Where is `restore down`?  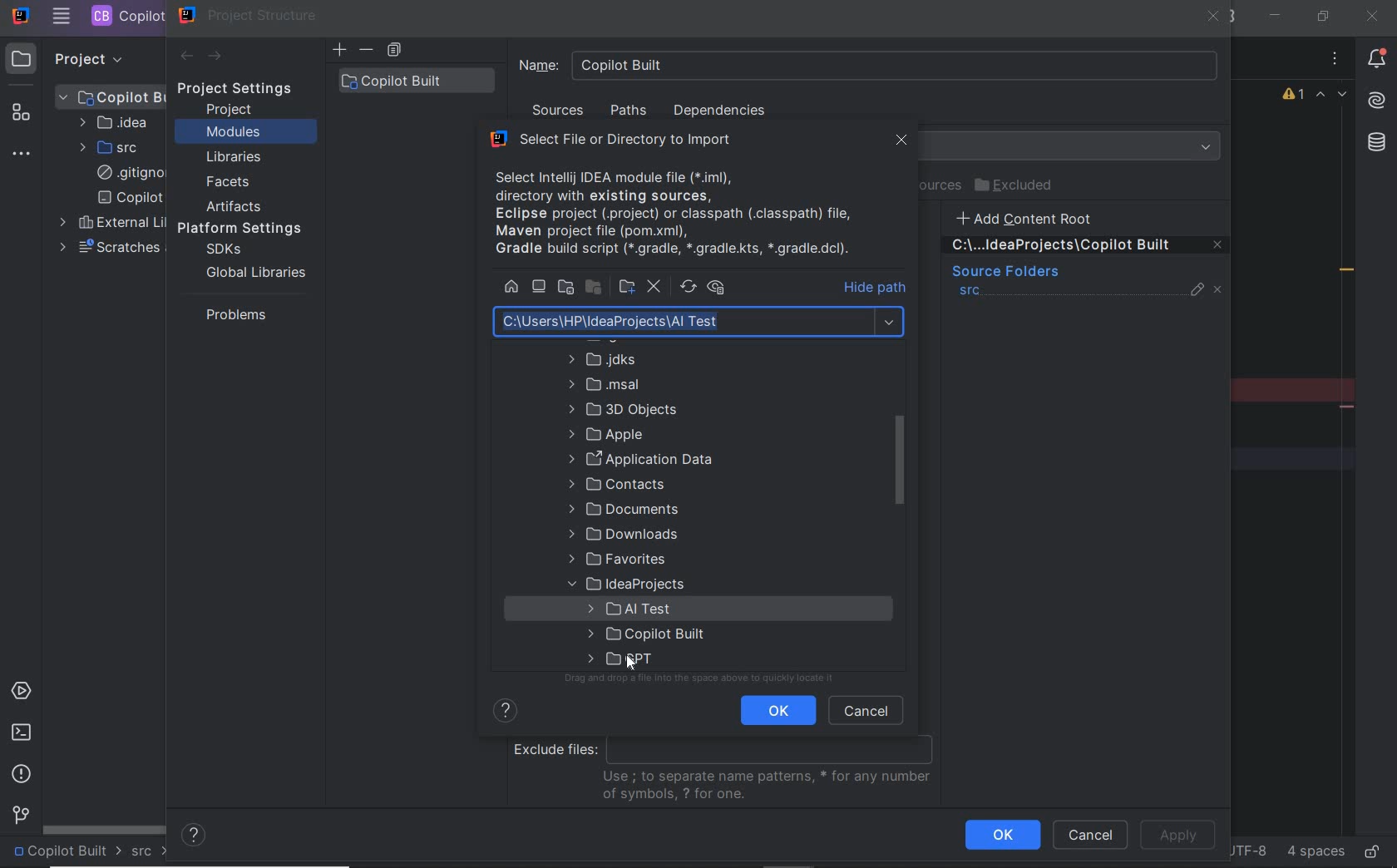 restore down is located at coordinates (1321, 16).